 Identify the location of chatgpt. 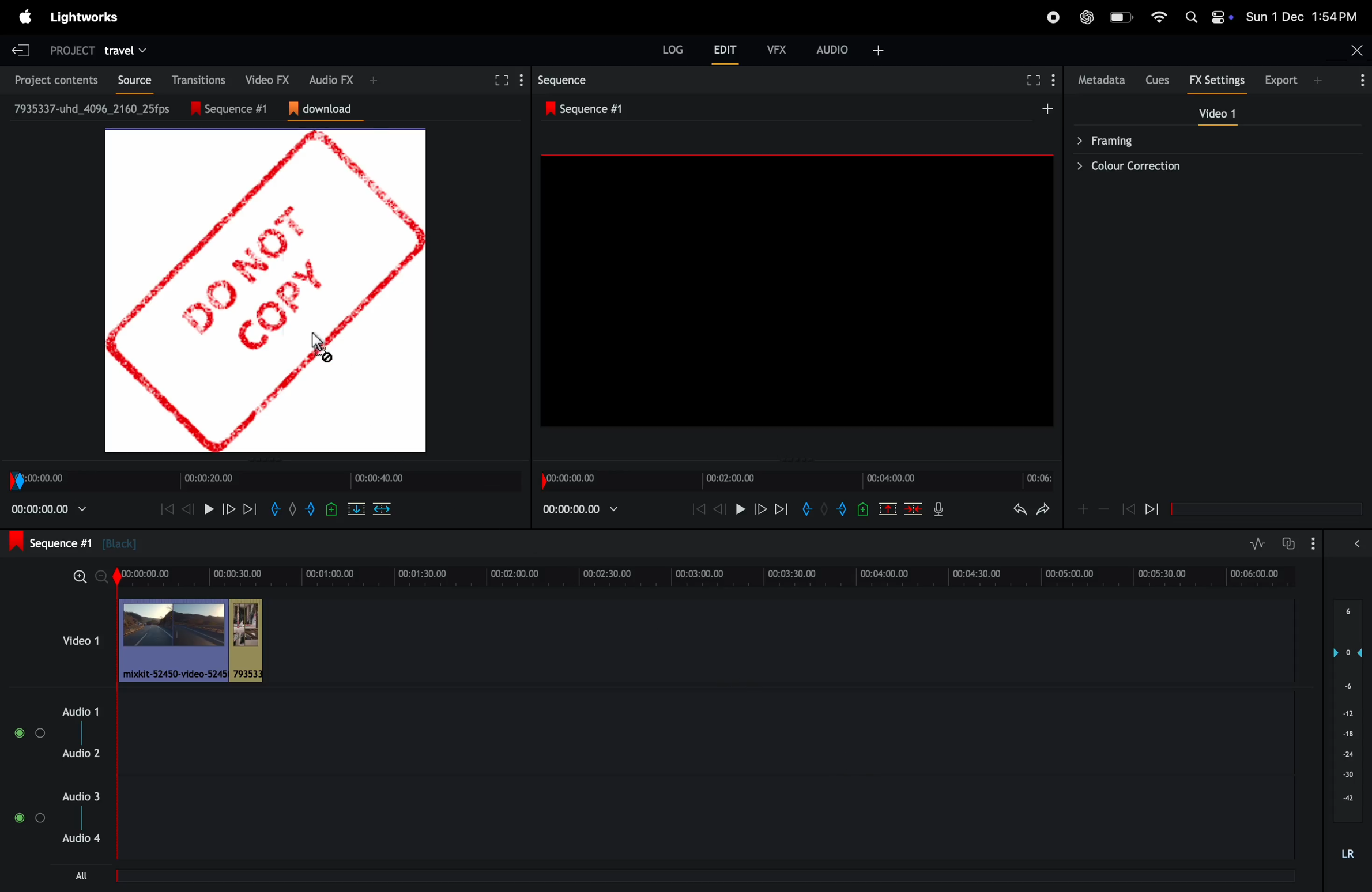
(1087, 17).